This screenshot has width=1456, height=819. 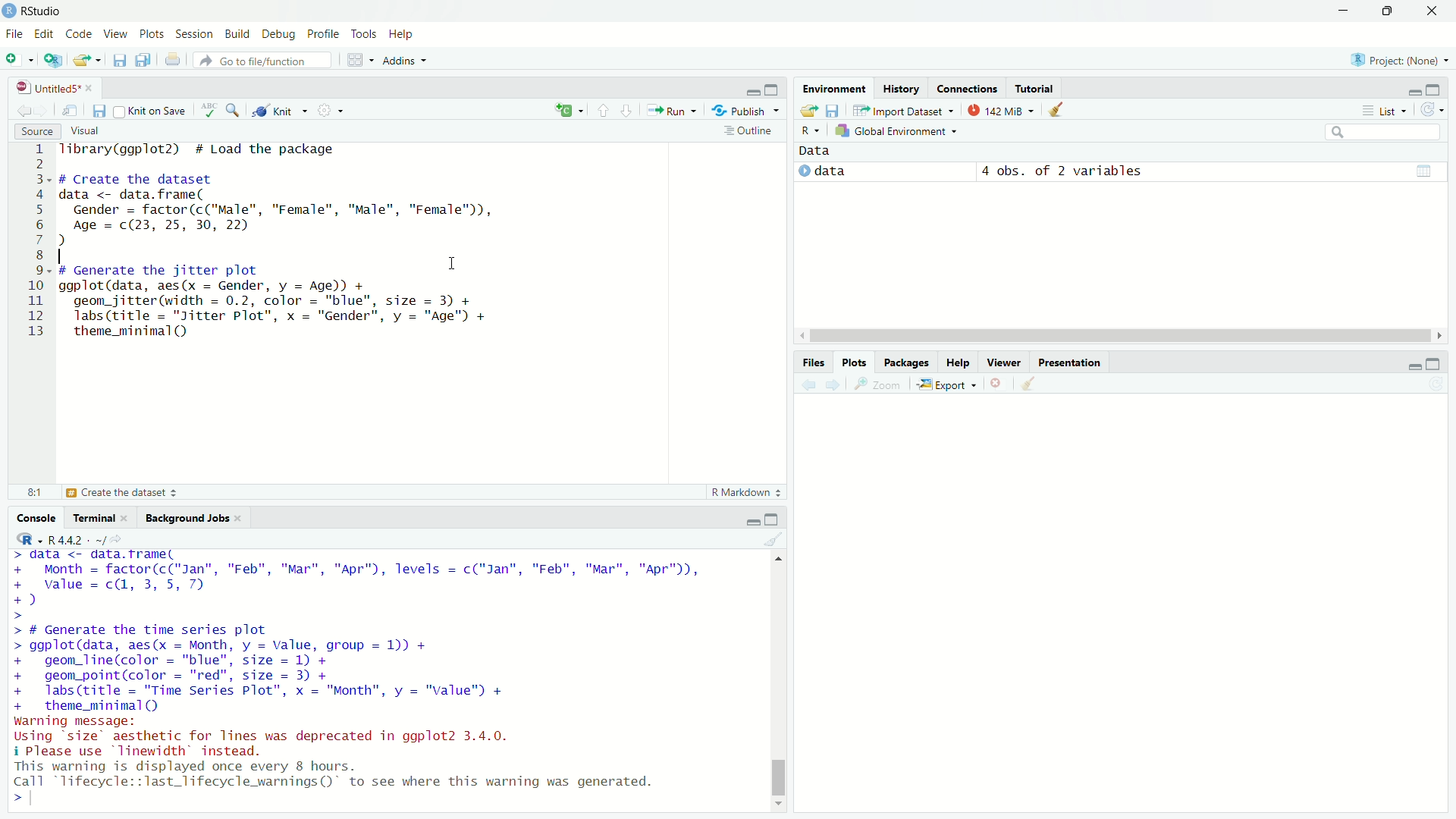 What do you see at coordinates (305, 301) in the screenshot?
I see `code to generate the jitter plot` at bounding box center [305, 301].